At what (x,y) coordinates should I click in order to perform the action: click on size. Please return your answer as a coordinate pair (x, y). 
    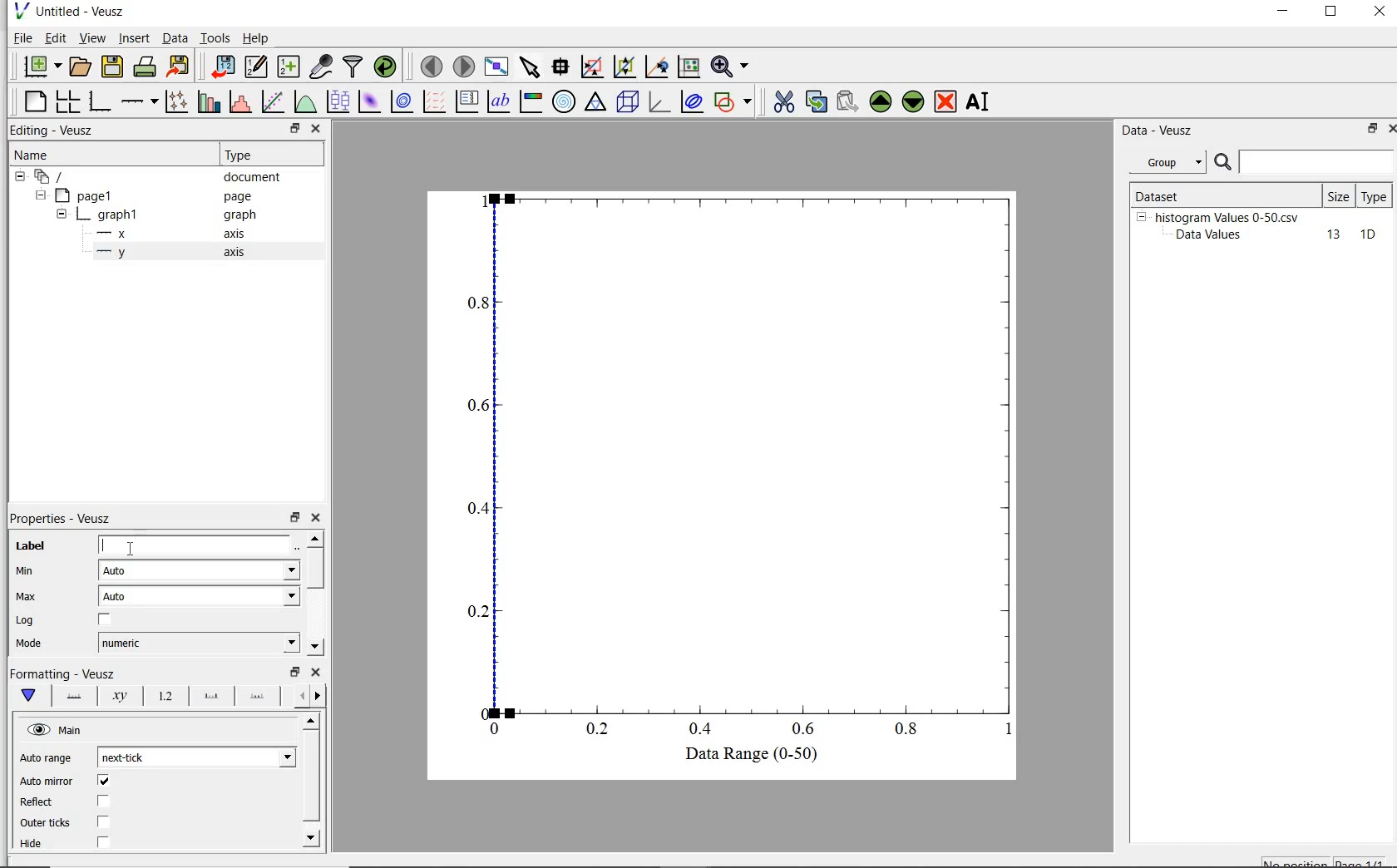
    Looking at the image, I should click on (1338, 196).